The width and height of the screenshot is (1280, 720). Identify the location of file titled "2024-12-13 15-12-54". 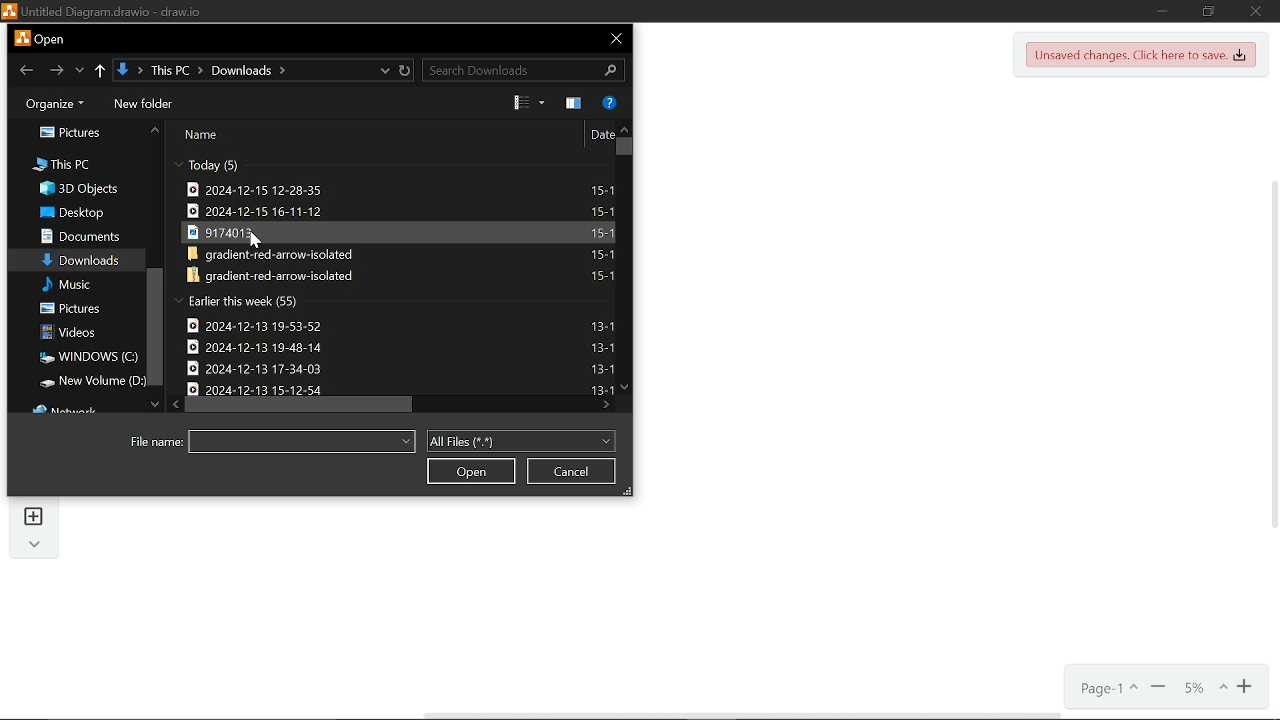
(399, 388).